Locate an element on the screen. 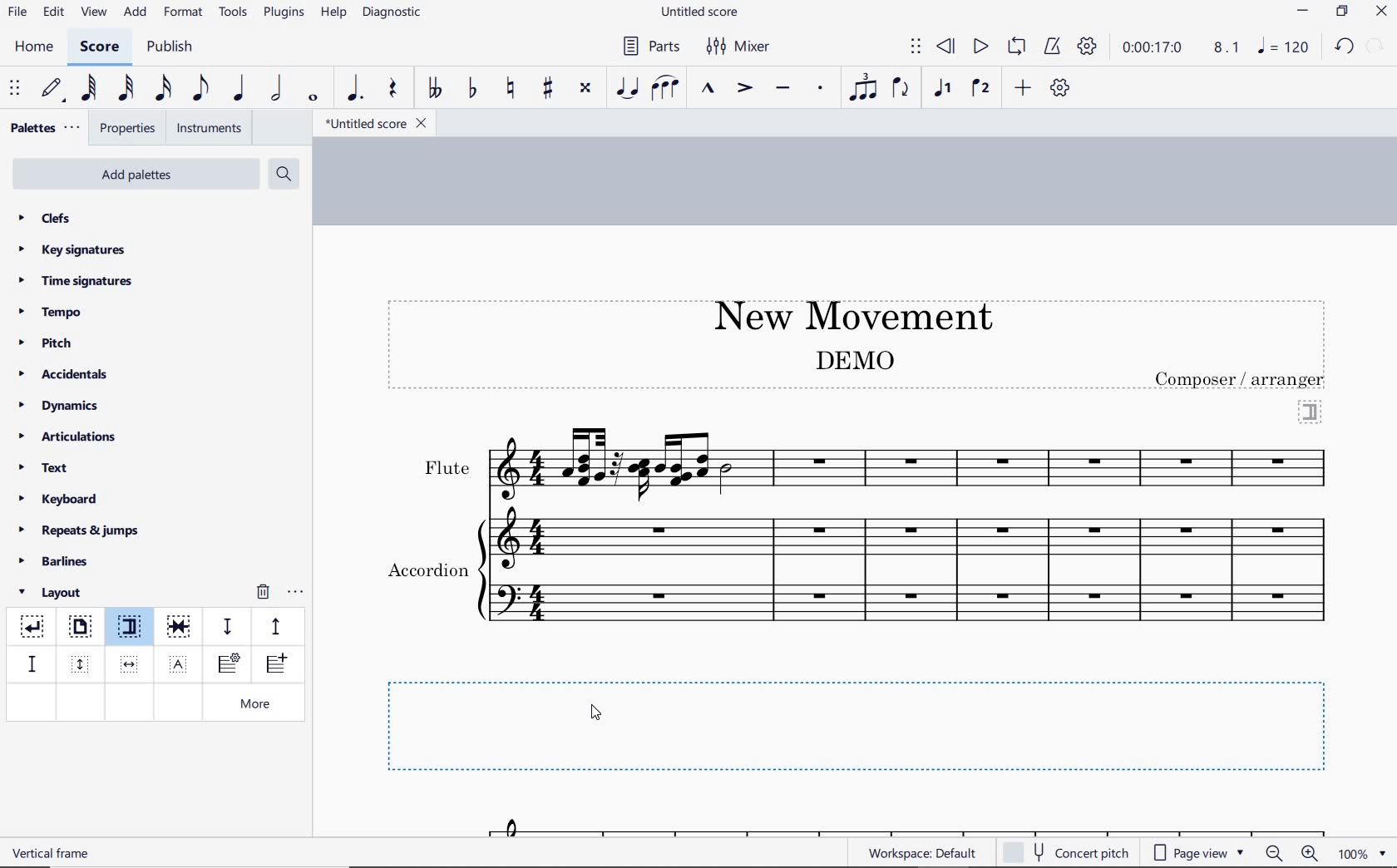  time signatures is located at coordinates (76, 280).